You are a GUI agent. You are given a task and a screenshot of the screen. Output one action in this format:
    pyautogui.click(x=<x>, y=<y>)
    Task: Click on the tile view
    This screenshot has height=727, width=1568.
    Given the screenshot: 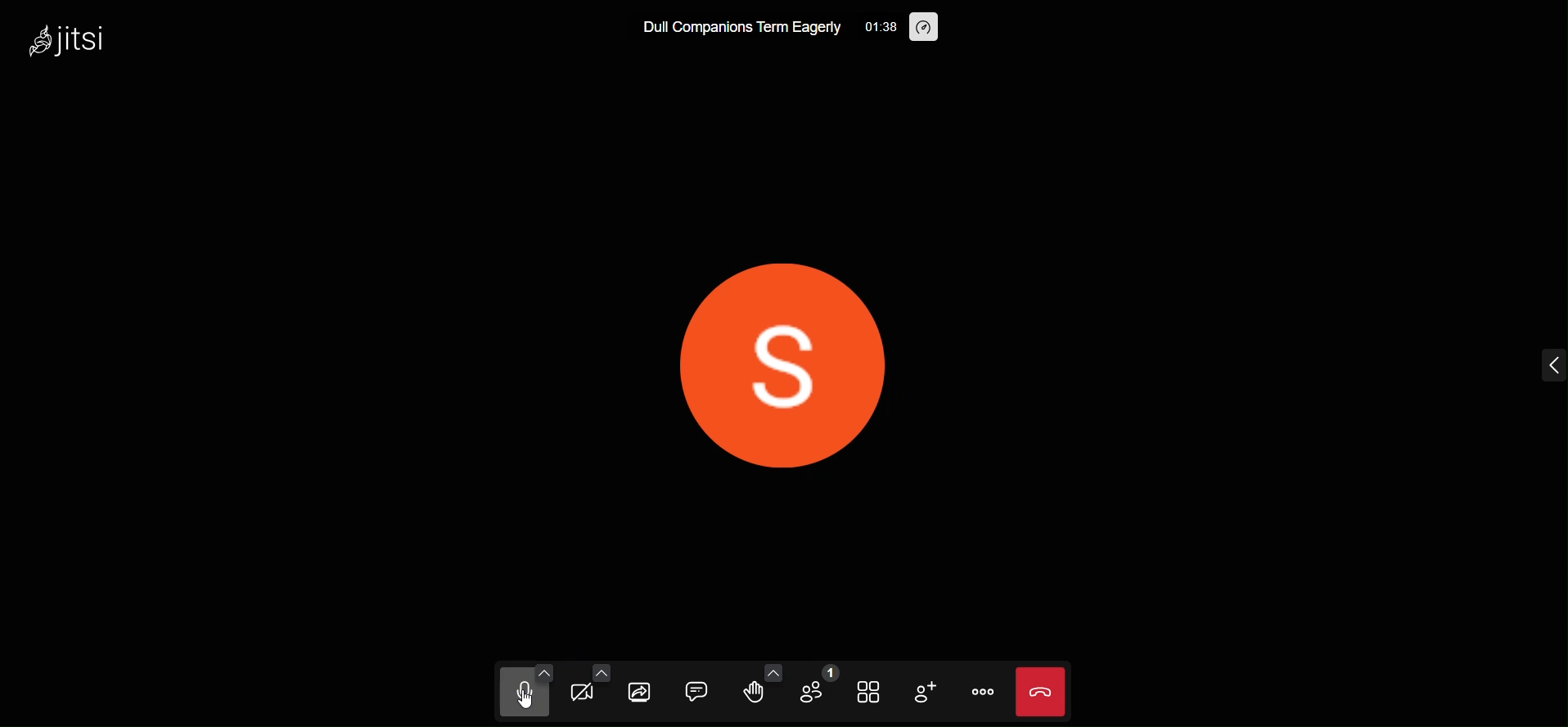 What is the action you would take?
    pyautogui.click(x=864, y=691)
    